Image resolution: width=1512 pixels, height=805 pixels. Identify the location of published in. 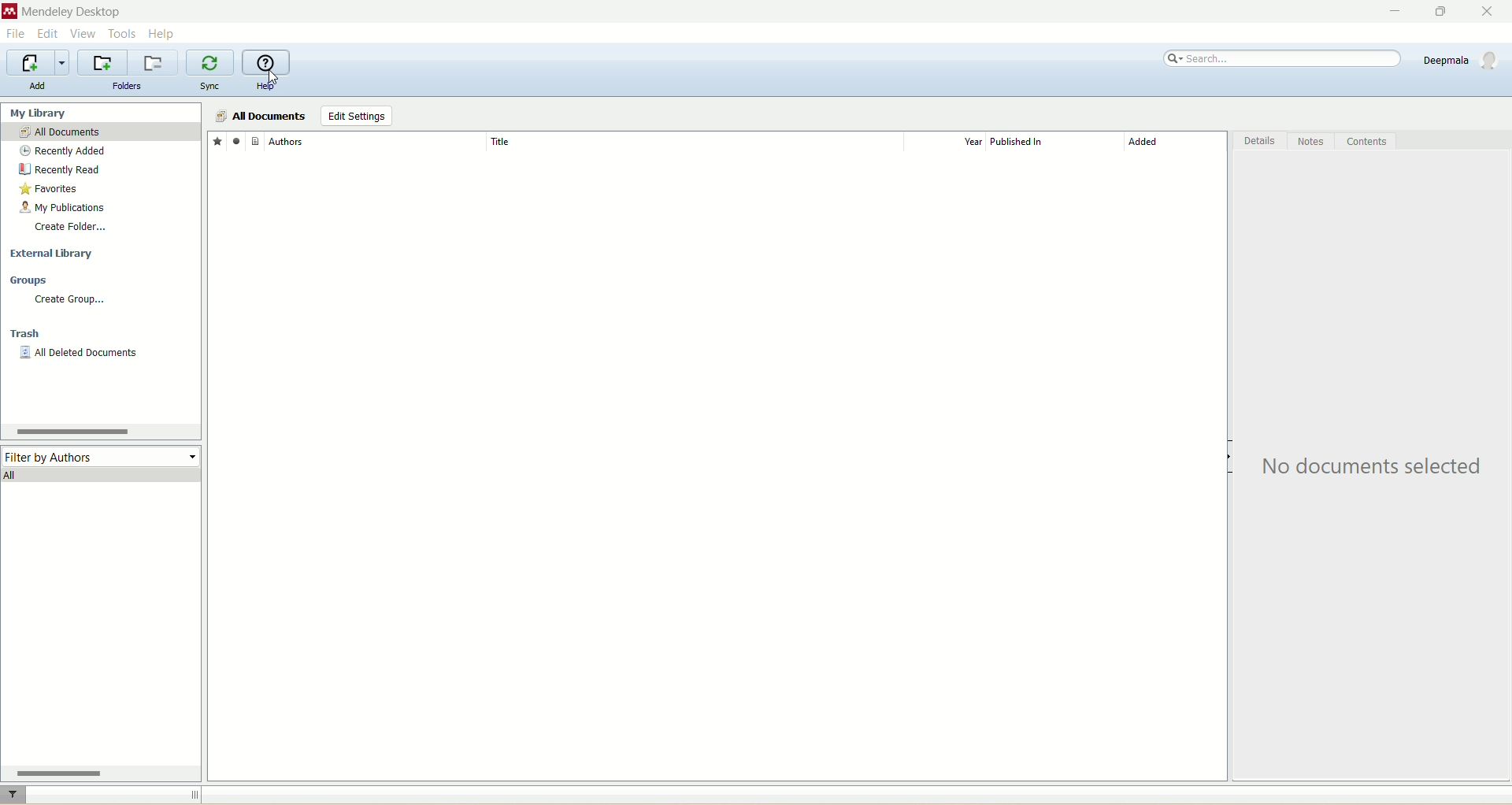
(1054, 142).